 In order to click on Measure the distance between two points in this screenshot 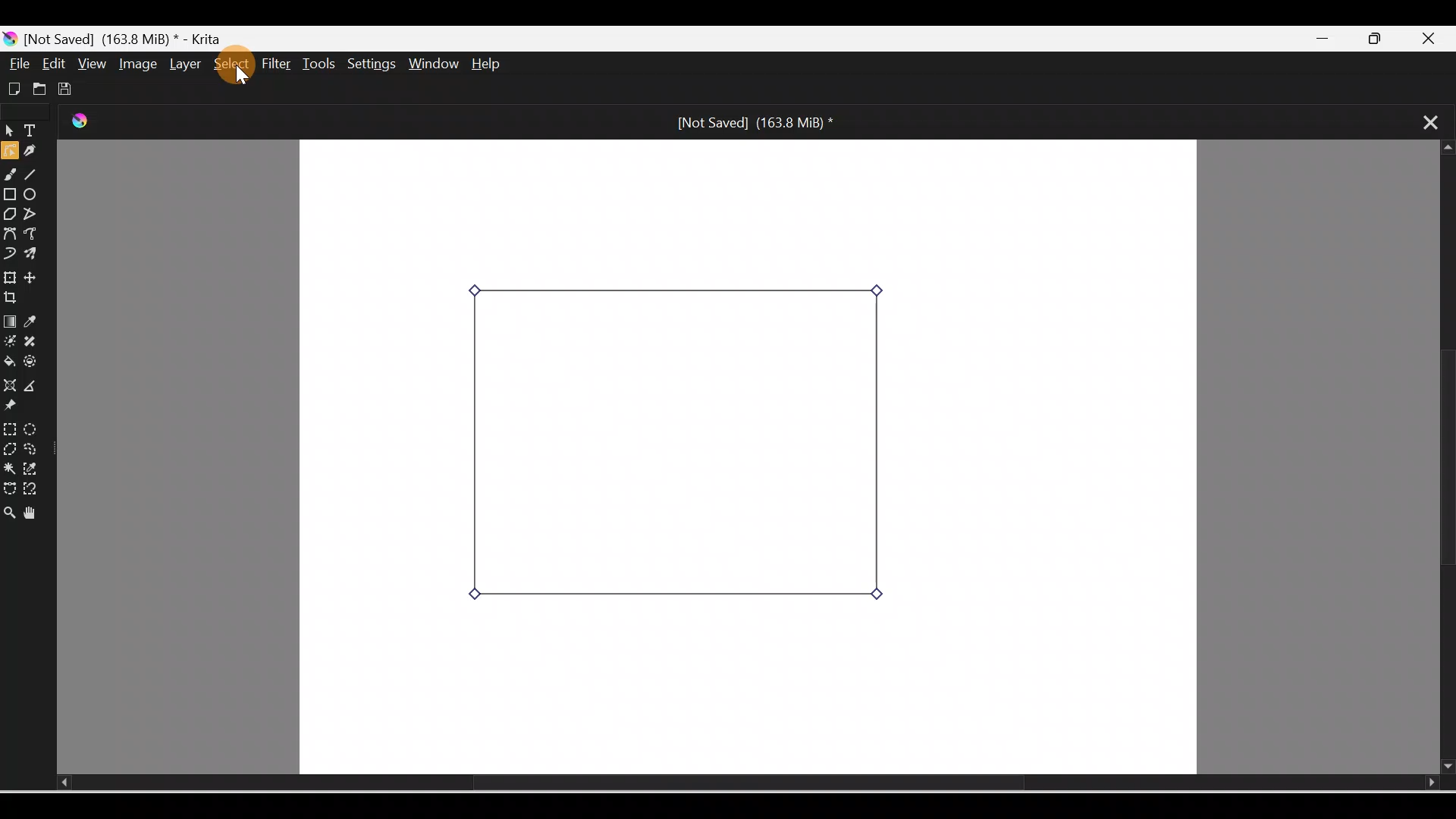, I will do `click(36, 387)`.